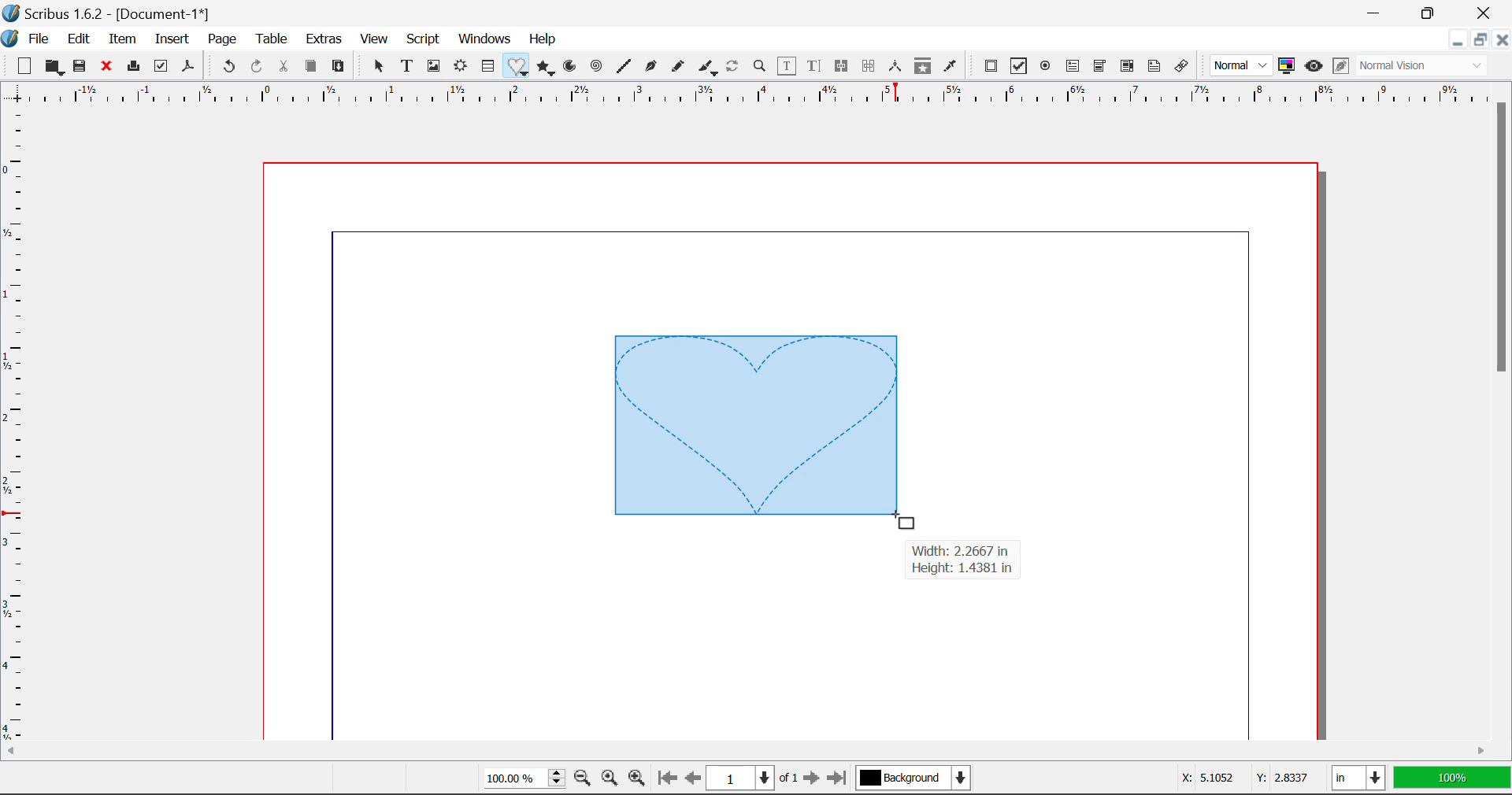  What do you see at coordinates (1424, 67) in the screenshot?
I see `Normal Vision` at bounding box center [1424, 67].